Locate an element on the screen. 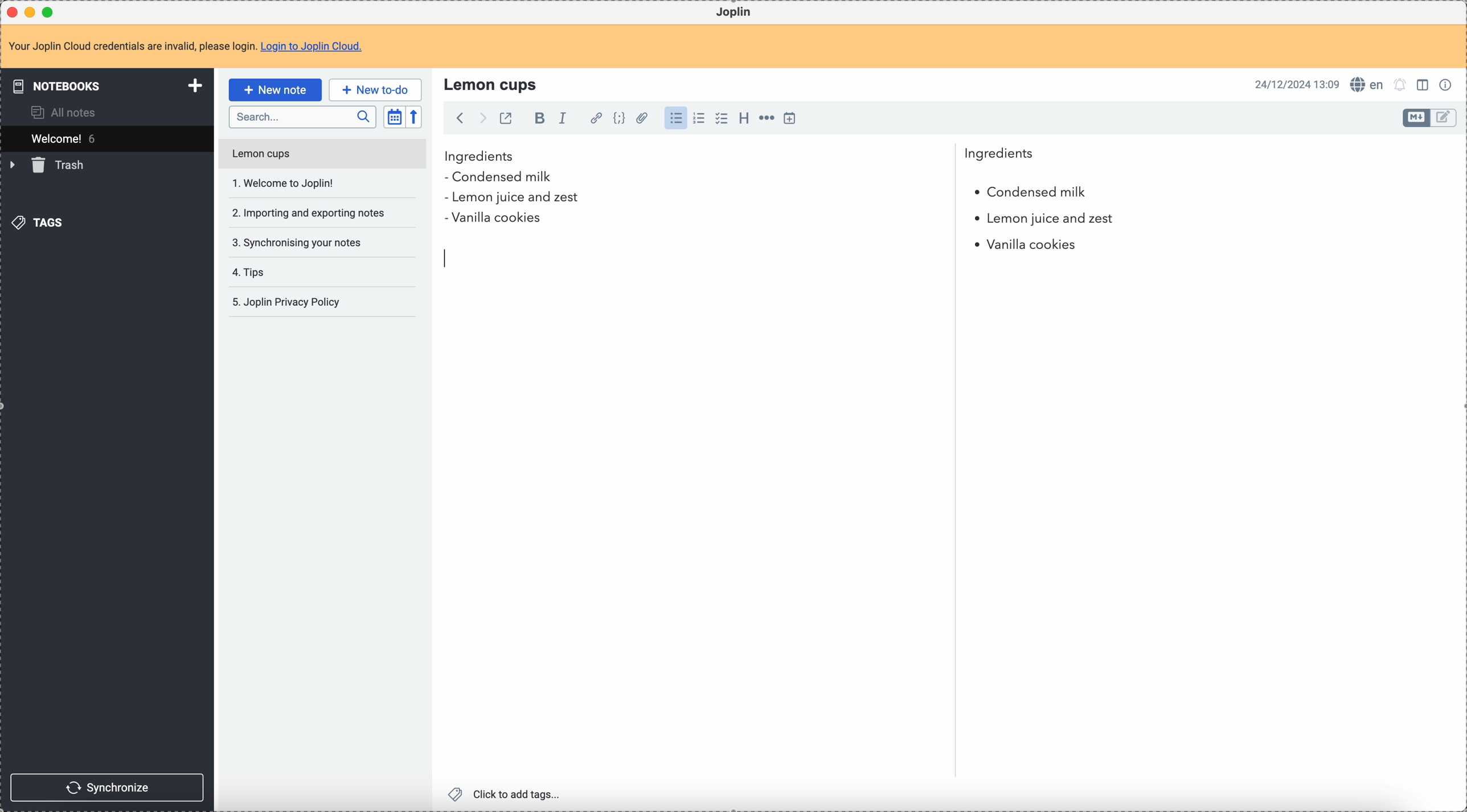 The width and height of the screenshot is (1467, 812). lemon cups is located at coordinates (321, 156).